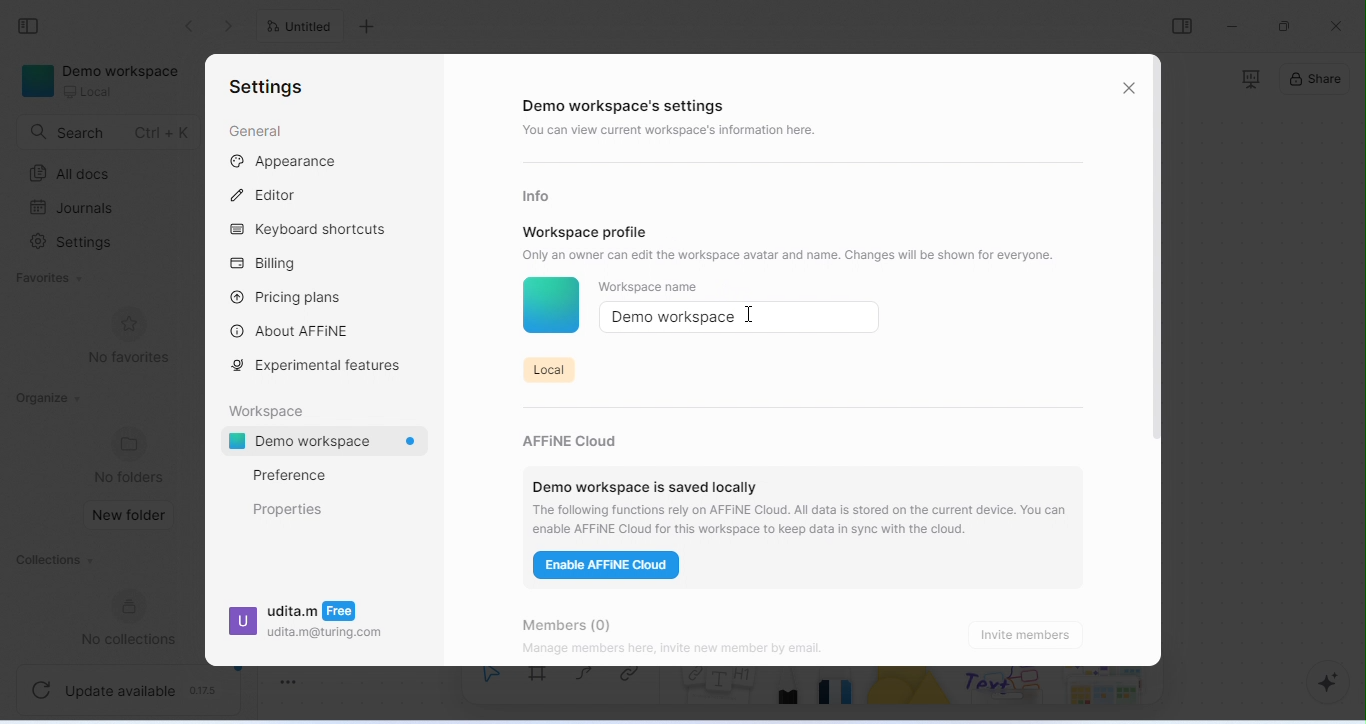 The height and width of the screenshot is (724, 1366). Describe the element at coordinates (289, 678) in the screenshot. I see `toggle zoom` at that location.